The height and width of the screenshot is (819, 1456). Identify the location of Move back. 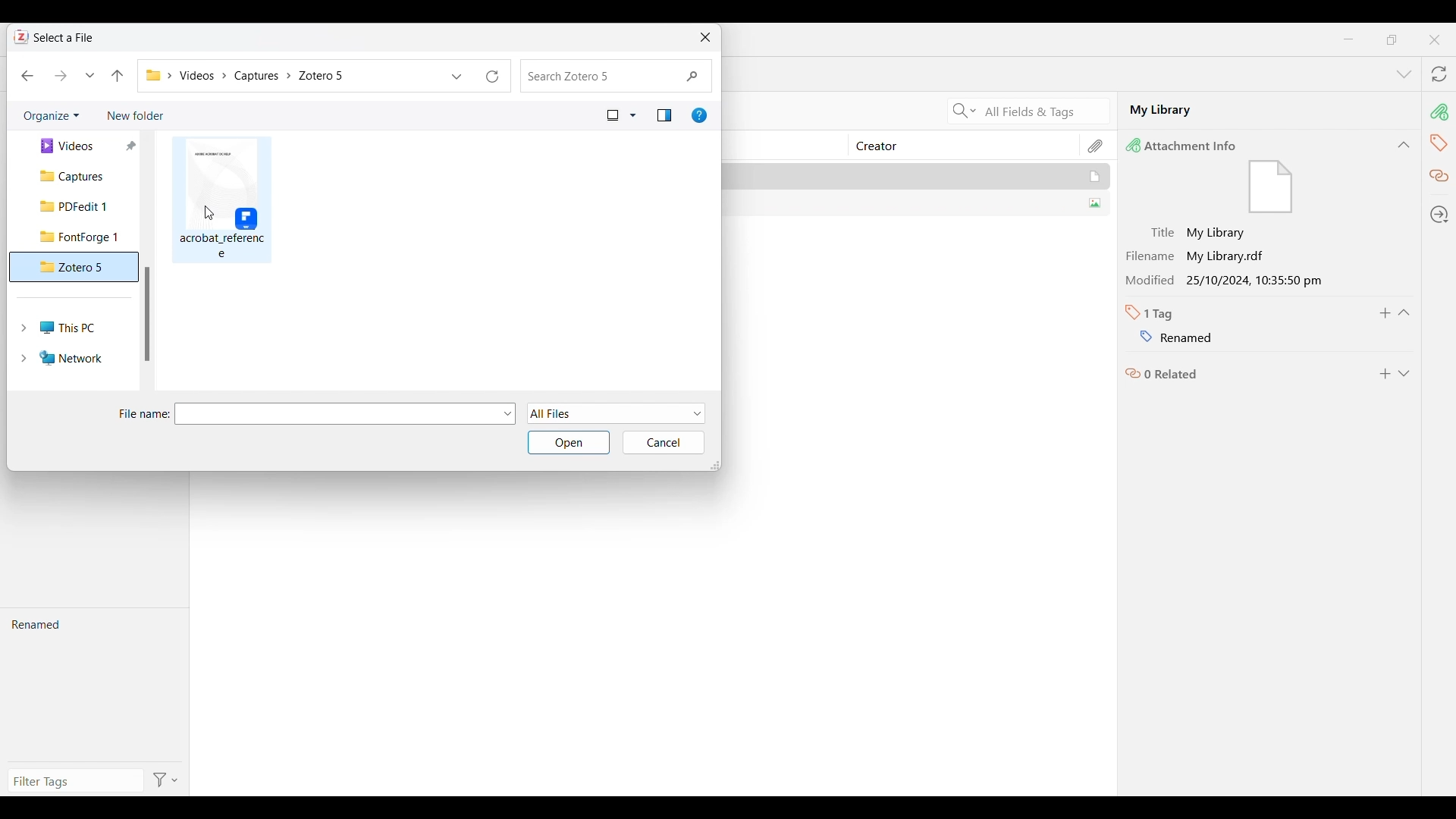
(27, 76).